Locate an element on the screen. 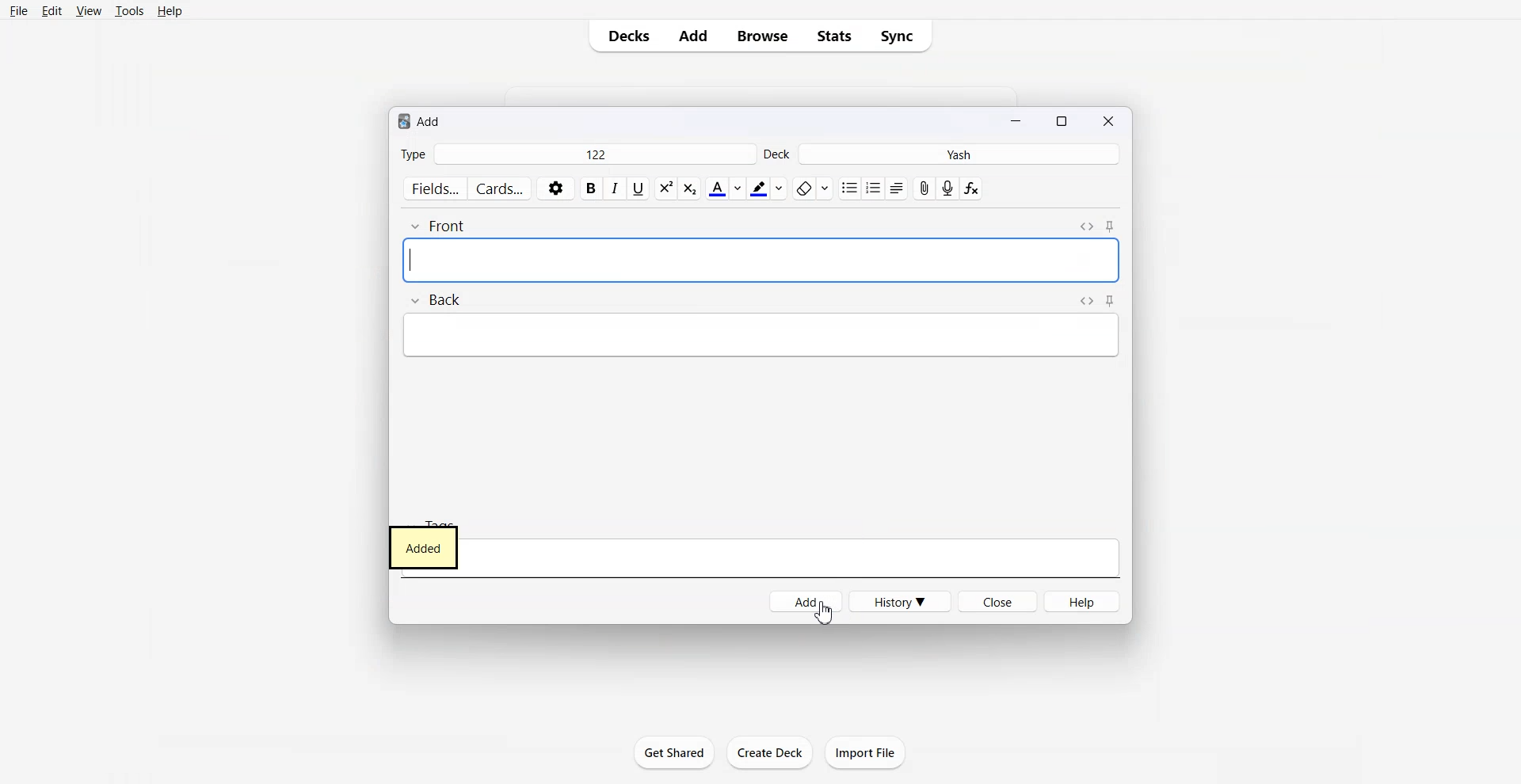 This screenshot has height=784, width=1521. Highlight text color is located at coordinates (766, 188).